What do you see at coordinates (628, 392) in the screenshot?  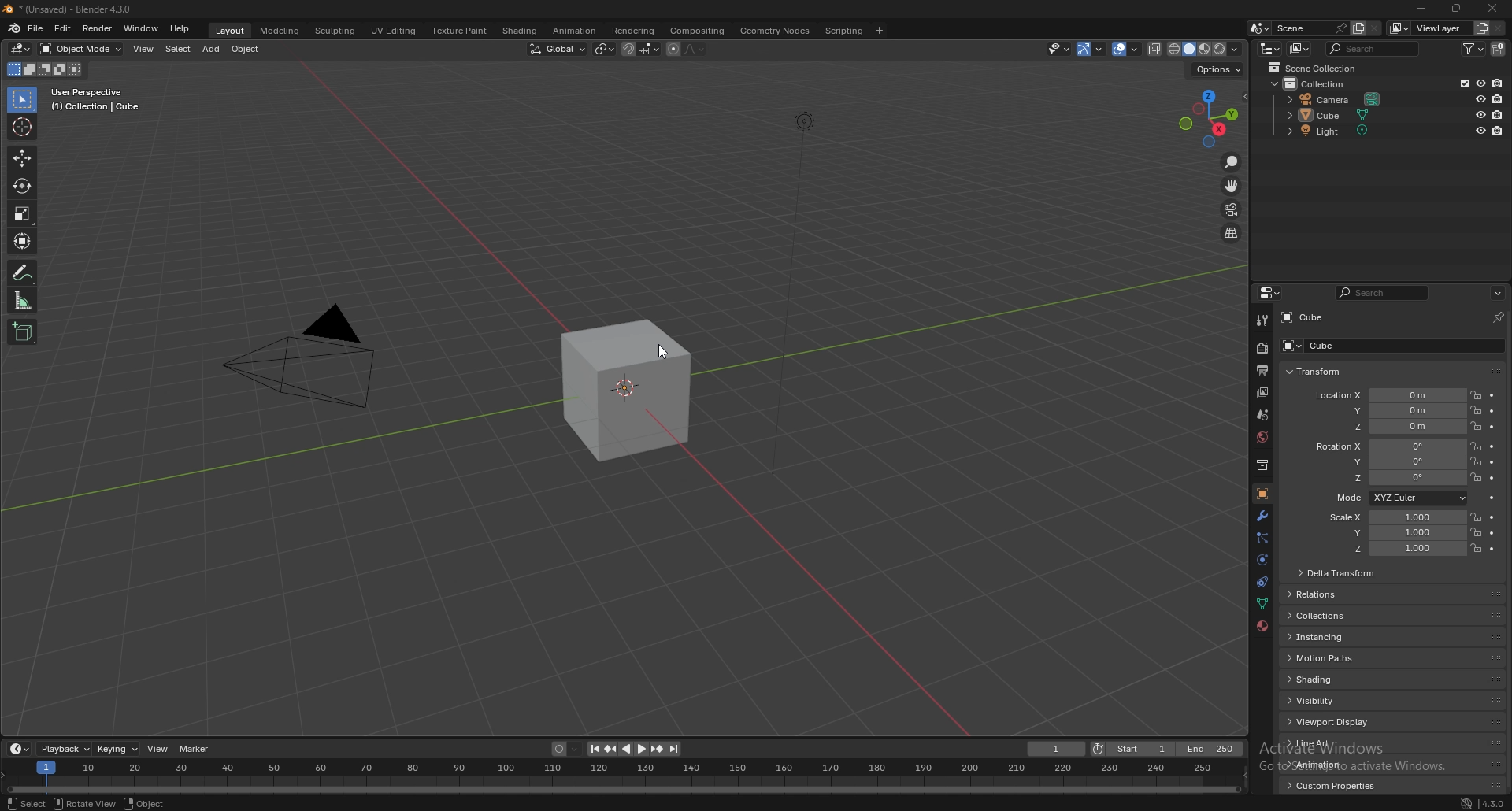 I see `cube` at bounding box center [628, 392].